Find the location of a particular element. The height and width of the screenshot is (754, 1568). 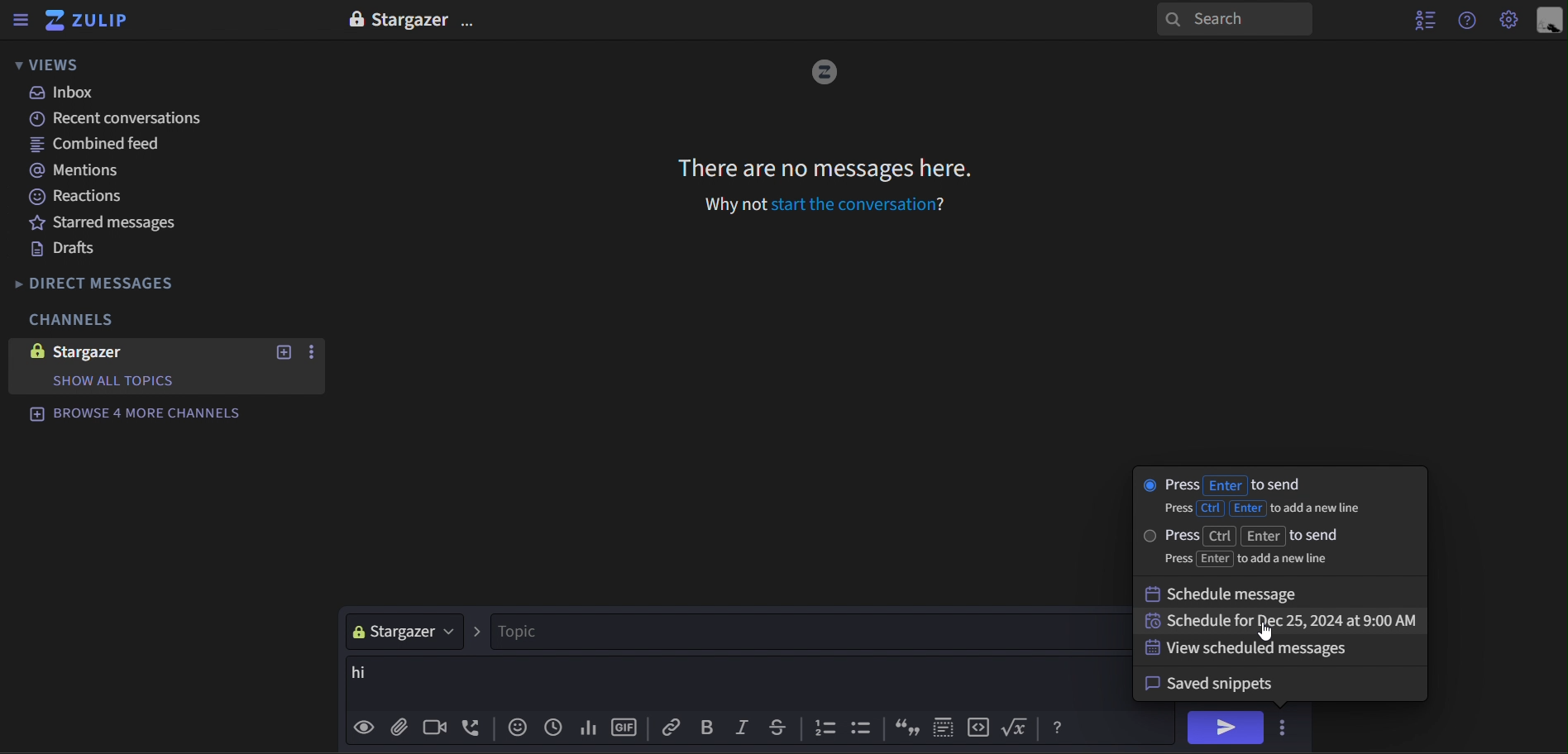

hide user list is located at coordinates (1422, 20).